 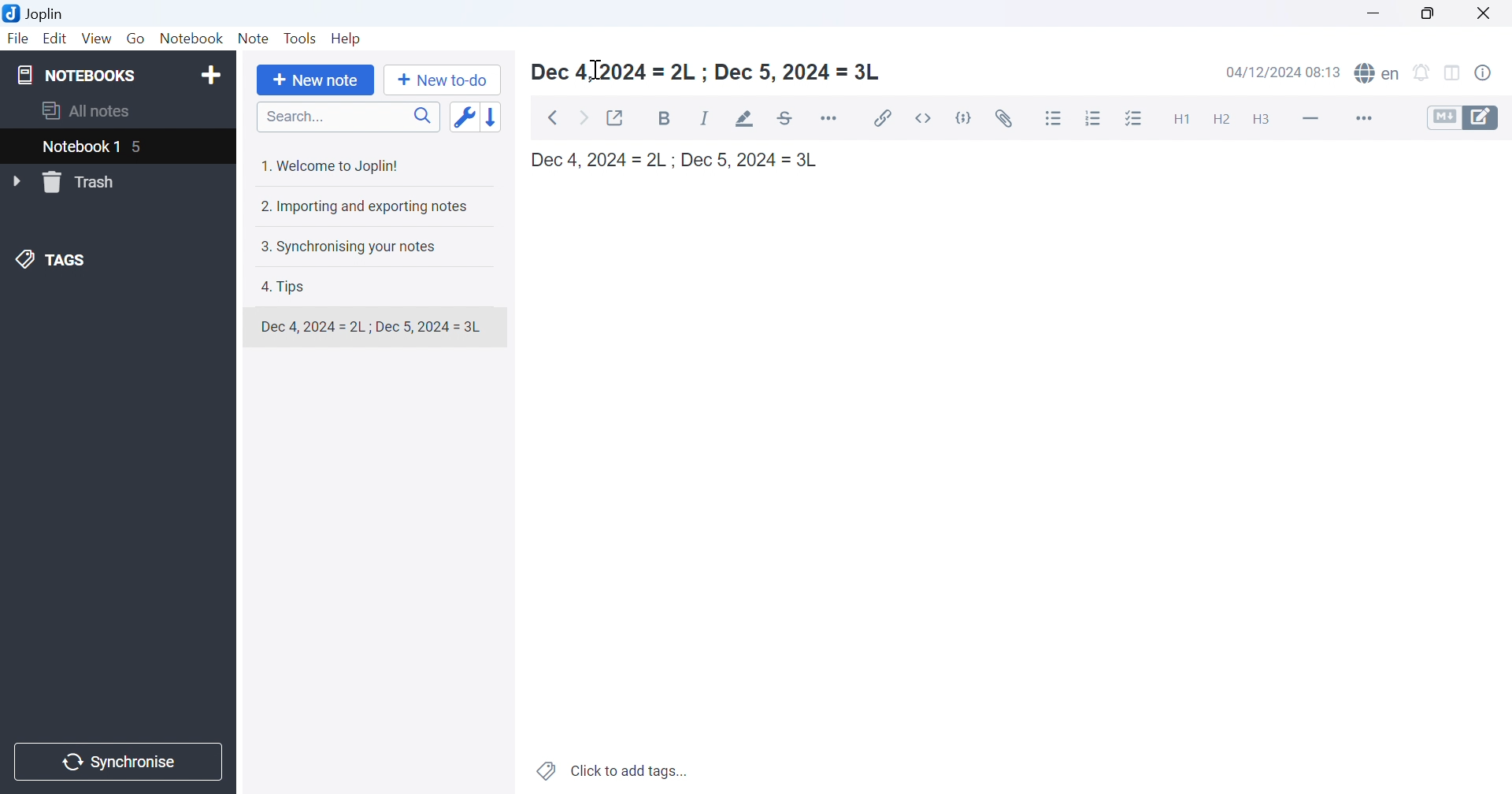 What do you see at coordinates (209, 76) in the screenshot?
I see `Add notebook` at bounding box center [209, 76].